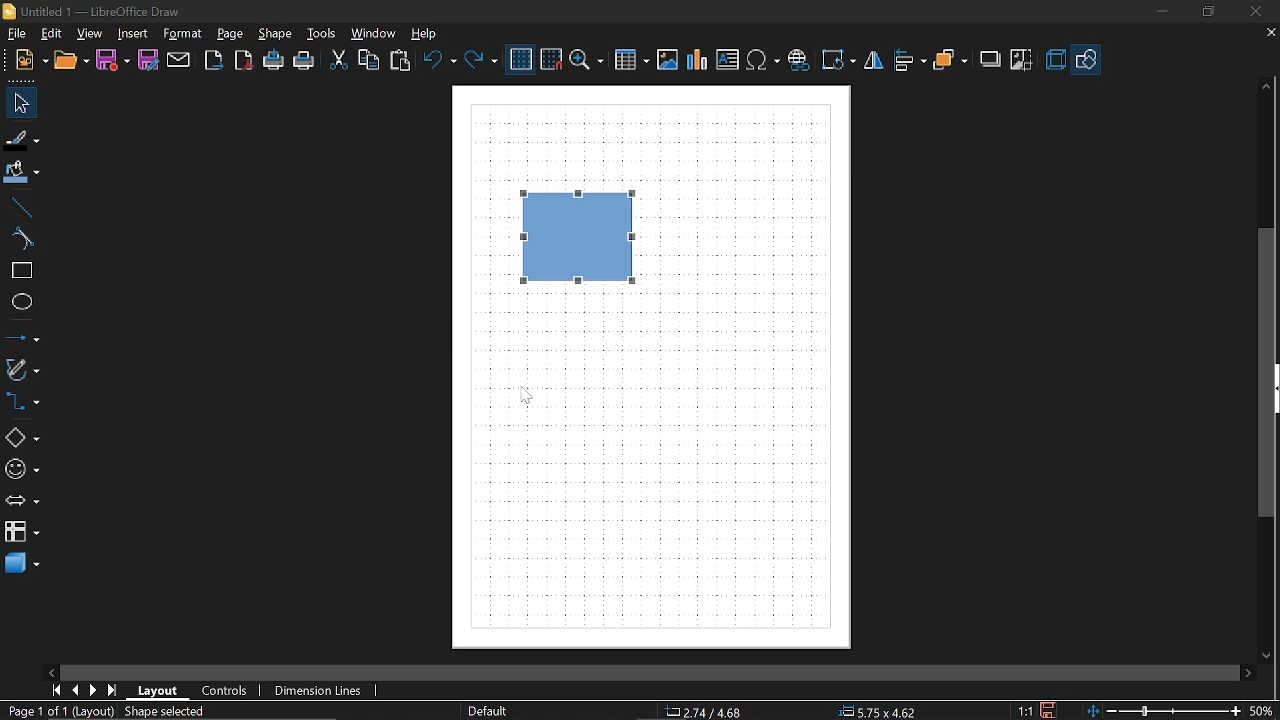 The width and height of the screenshot is (1280, 720). What do you see at coordinates (92, 10) in the screenshot?
I see `Current window` at bounding box center [92, 10].